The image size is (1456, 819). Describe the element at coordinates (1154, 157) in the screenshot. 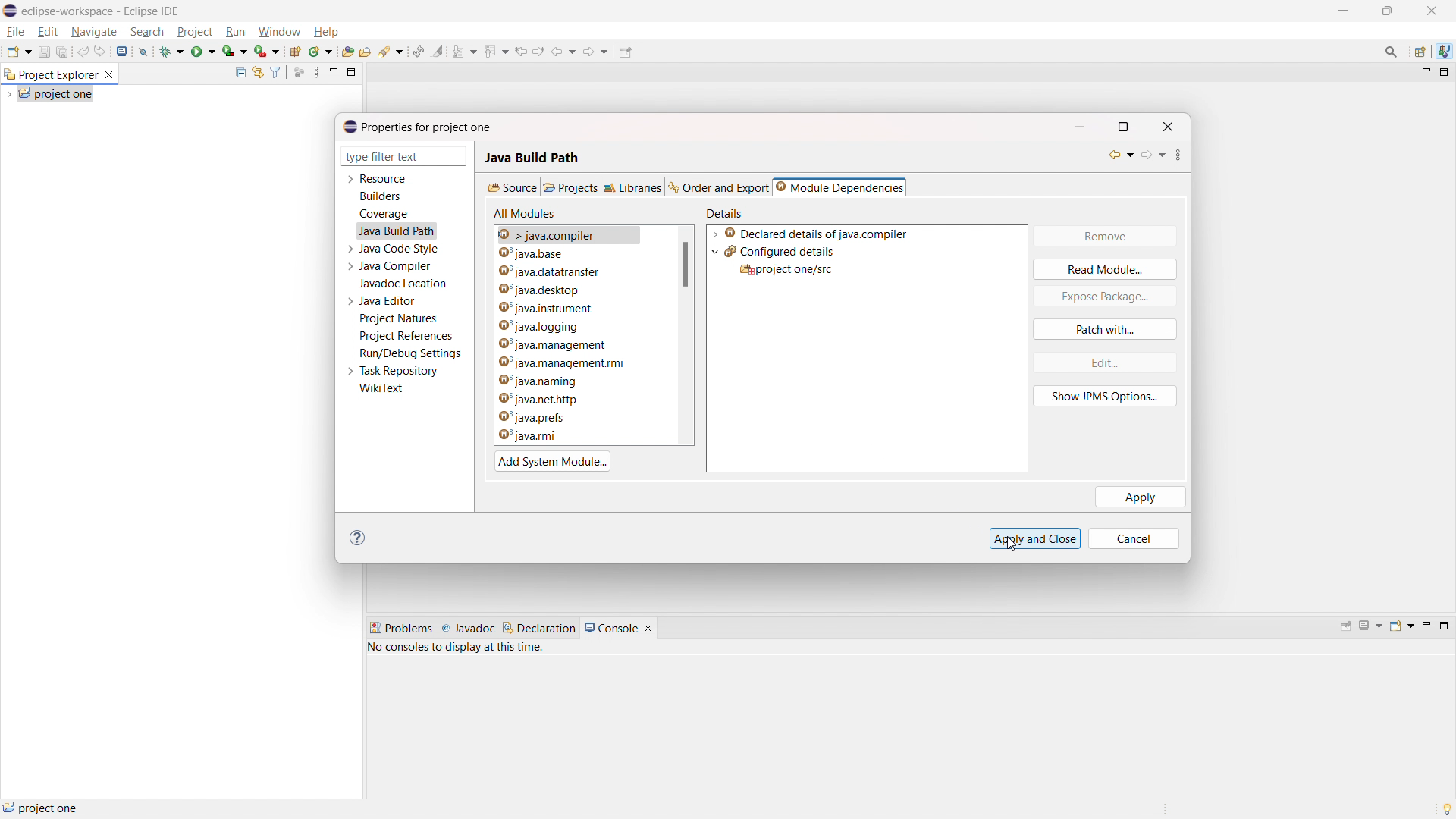

I see `forward` at that location.